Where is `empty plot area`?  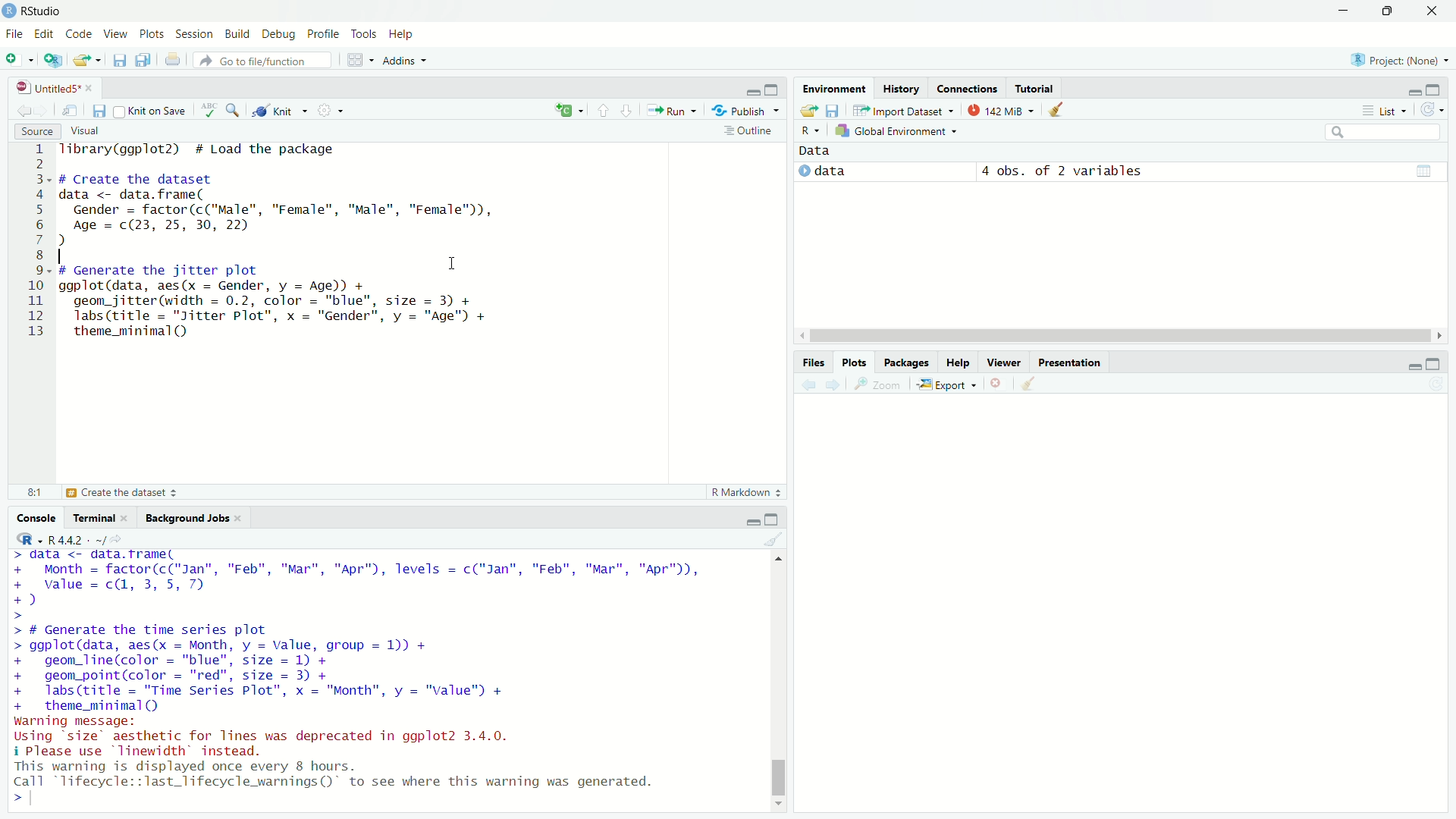
empty plot area is located at coordinates (1130, 616).